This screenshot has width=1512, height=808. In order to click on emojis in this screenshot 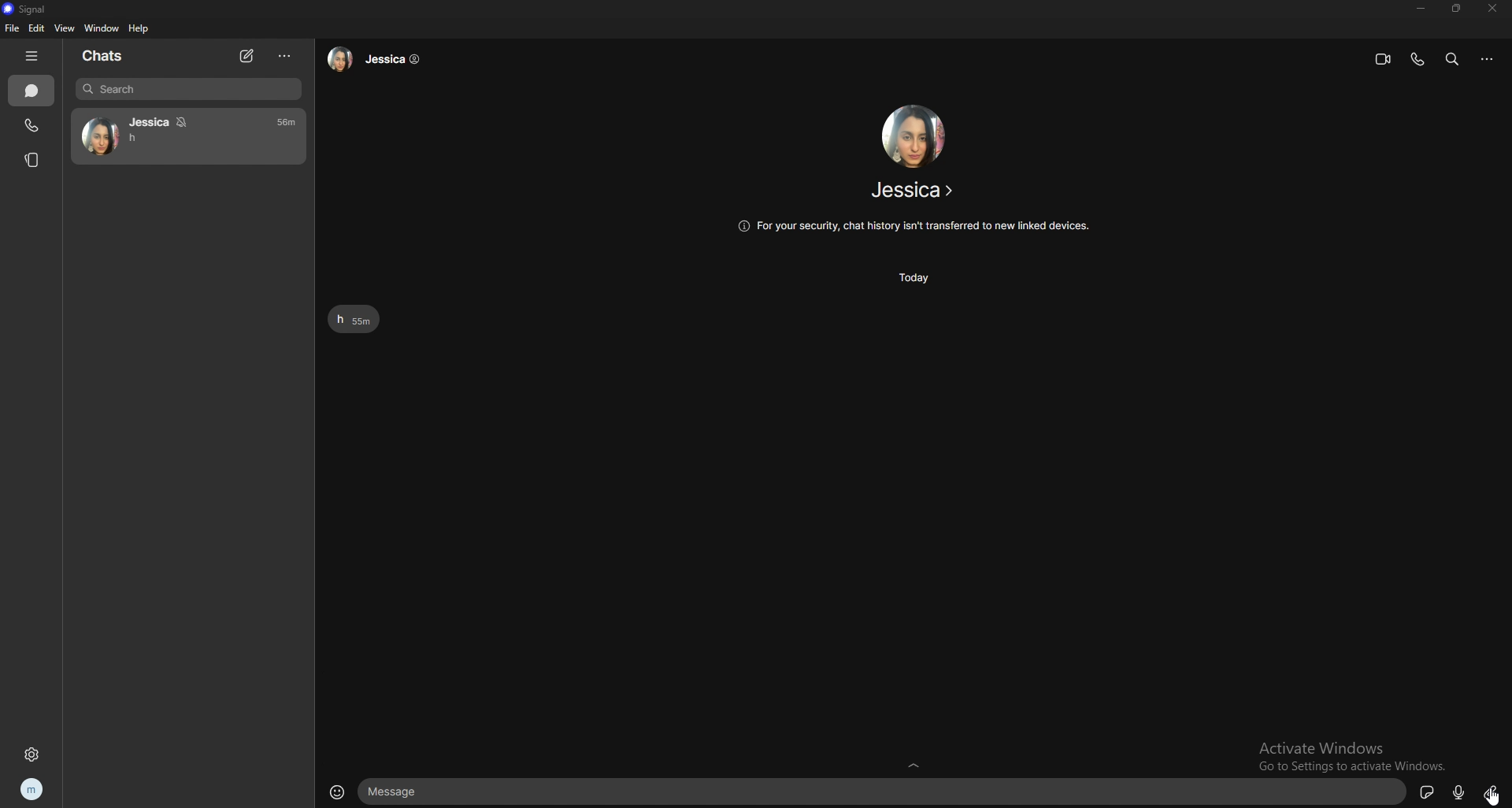, I will do `click(336, 791)`.